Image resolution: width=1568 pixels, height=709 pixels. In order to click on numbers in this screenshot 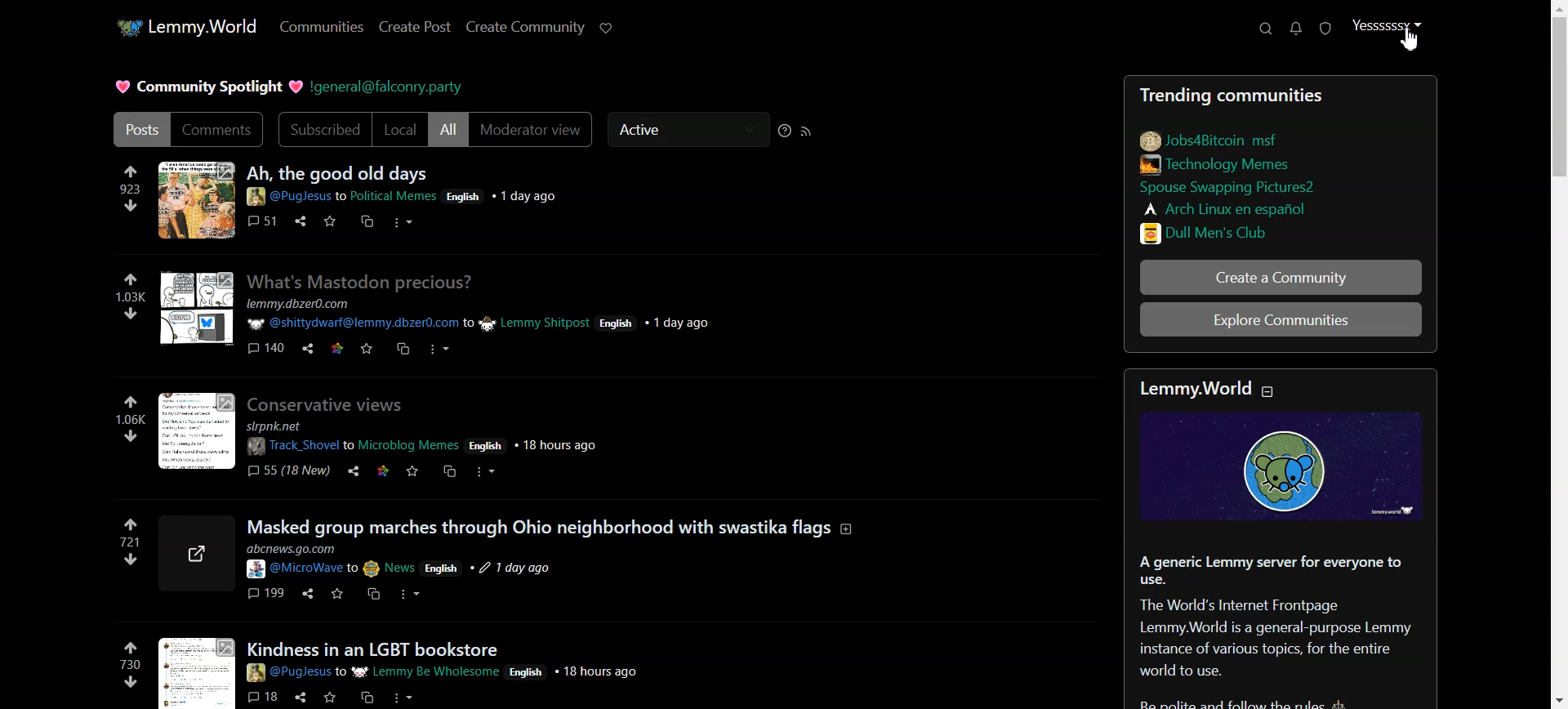, I will do `click(131, 420)`.